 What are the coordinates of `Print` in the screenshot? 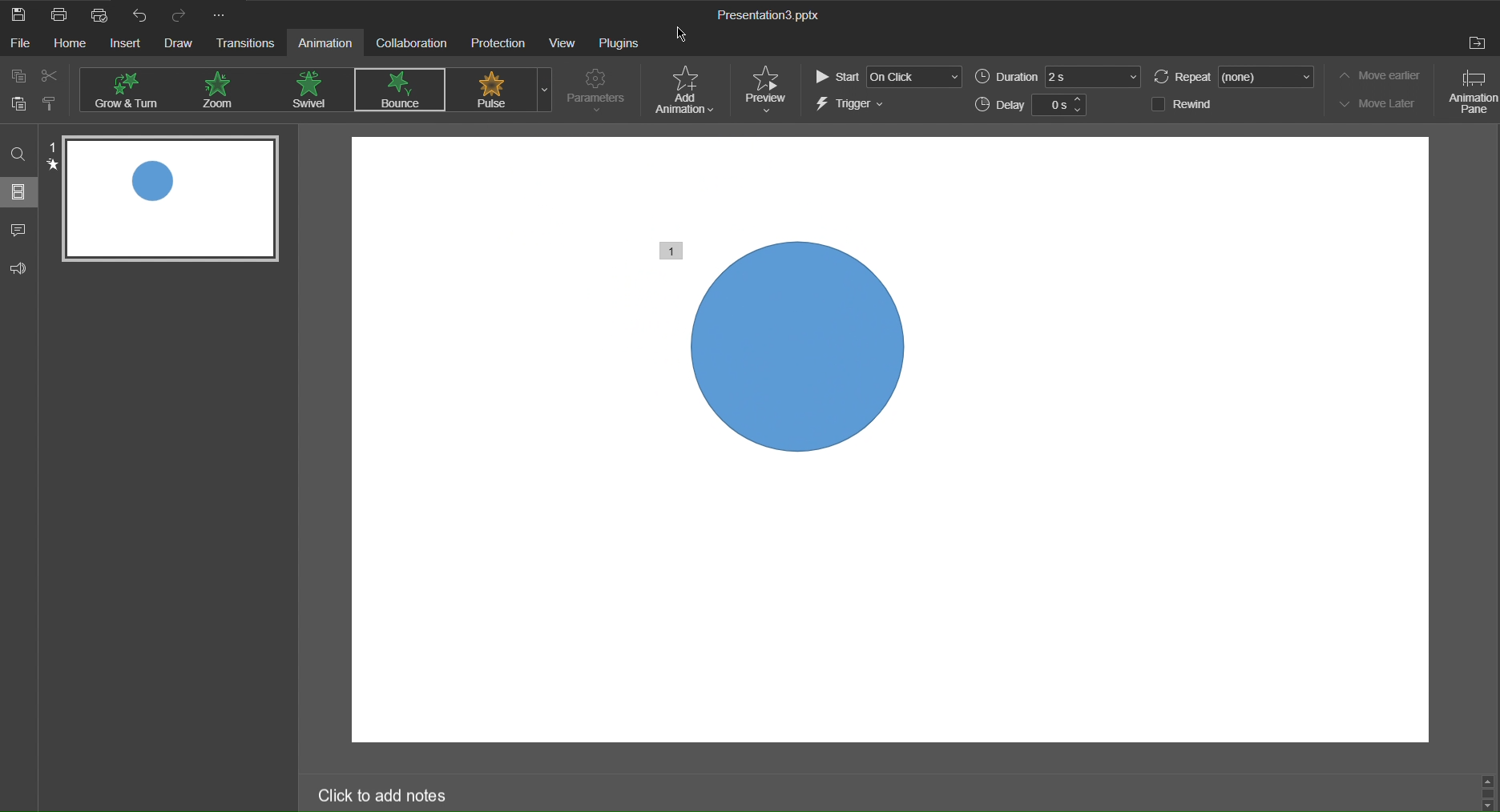 It's located at (58, 14).